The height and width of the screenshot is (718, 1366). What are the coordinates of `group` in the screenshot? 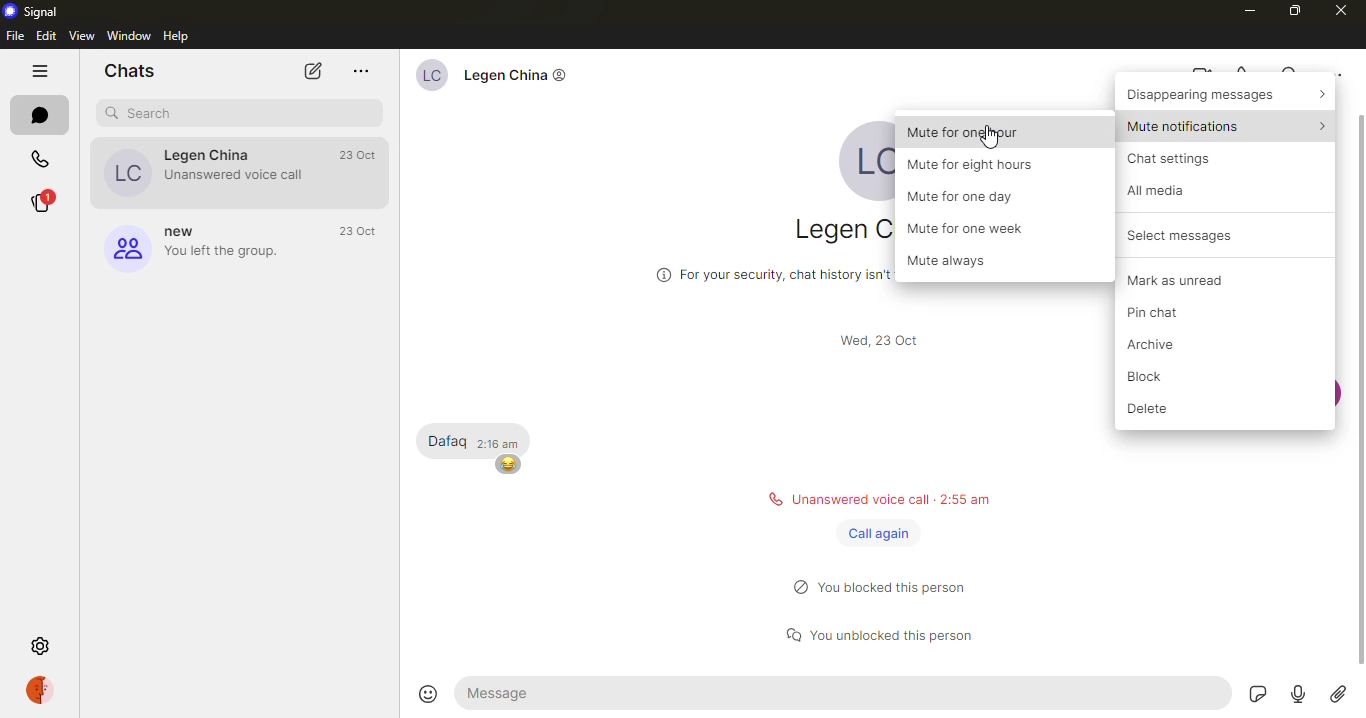 It's located at (204, 249).